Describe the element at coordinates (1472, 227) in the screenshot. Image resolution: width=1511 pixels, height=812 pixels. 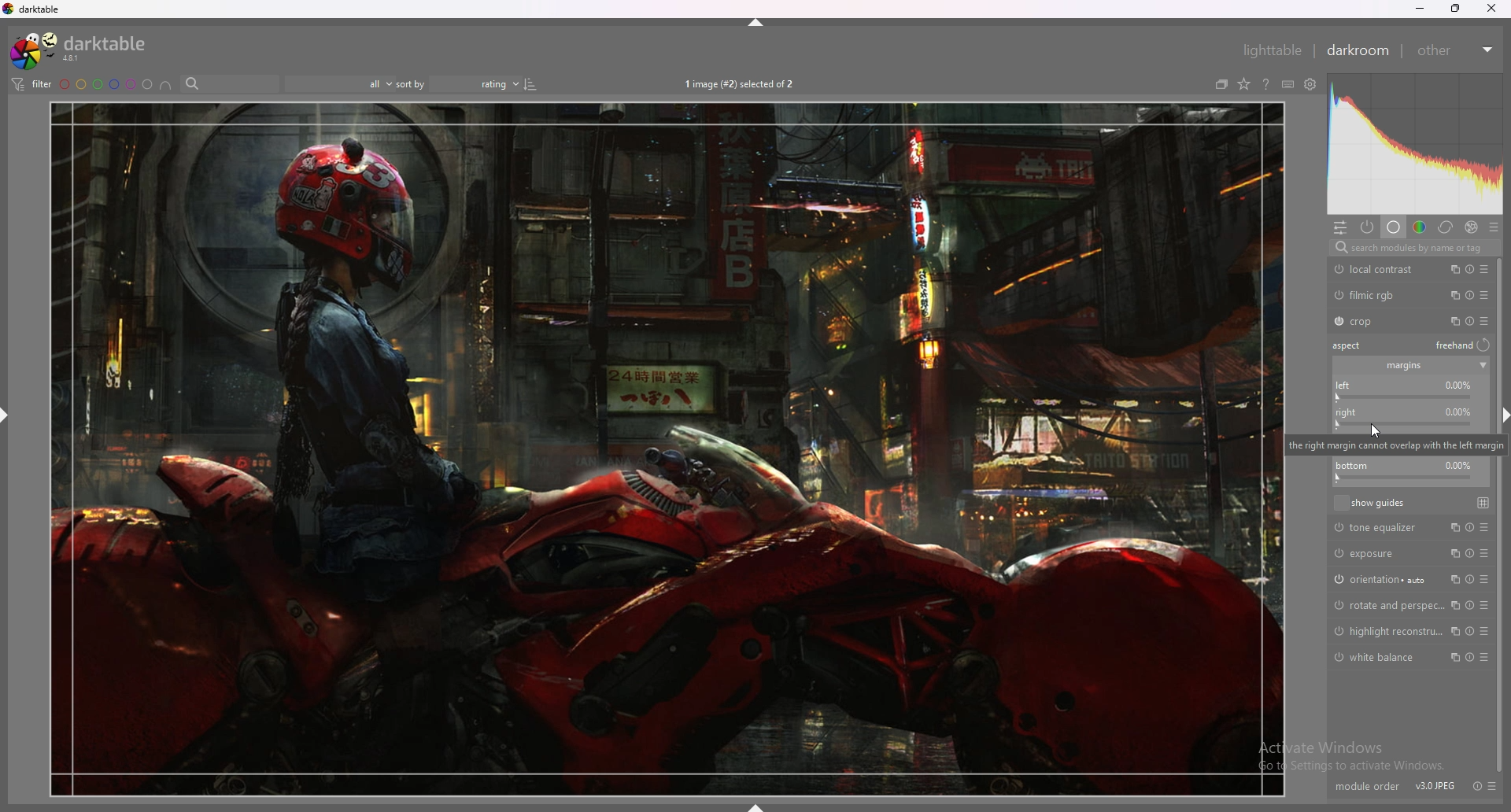
I see `effect` at that location.